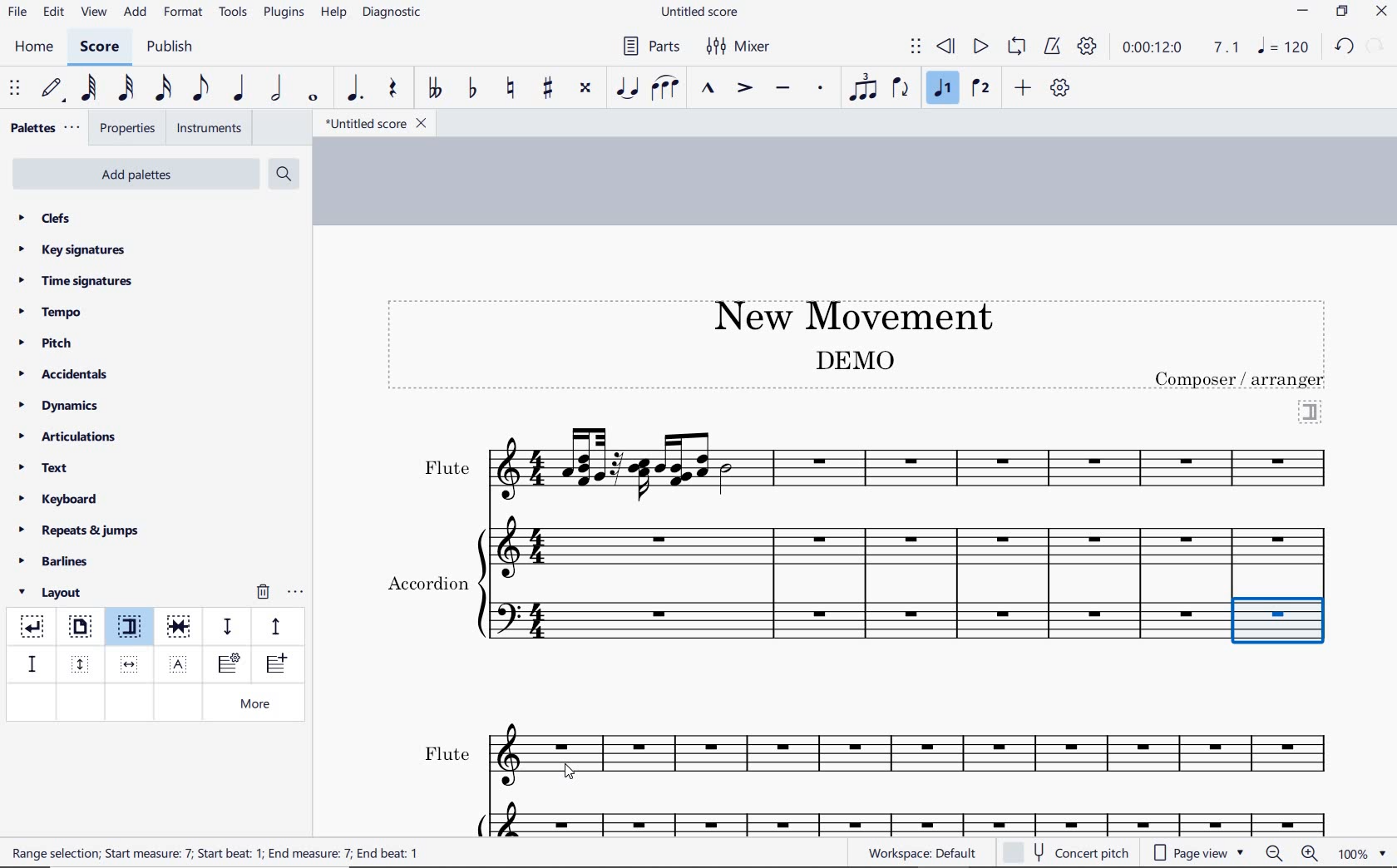 This screenshot has height=868, width=1397. What do you see at coordinates (137, 12) in the screenshot?
I see `add ` at bounding box center [137, 12].